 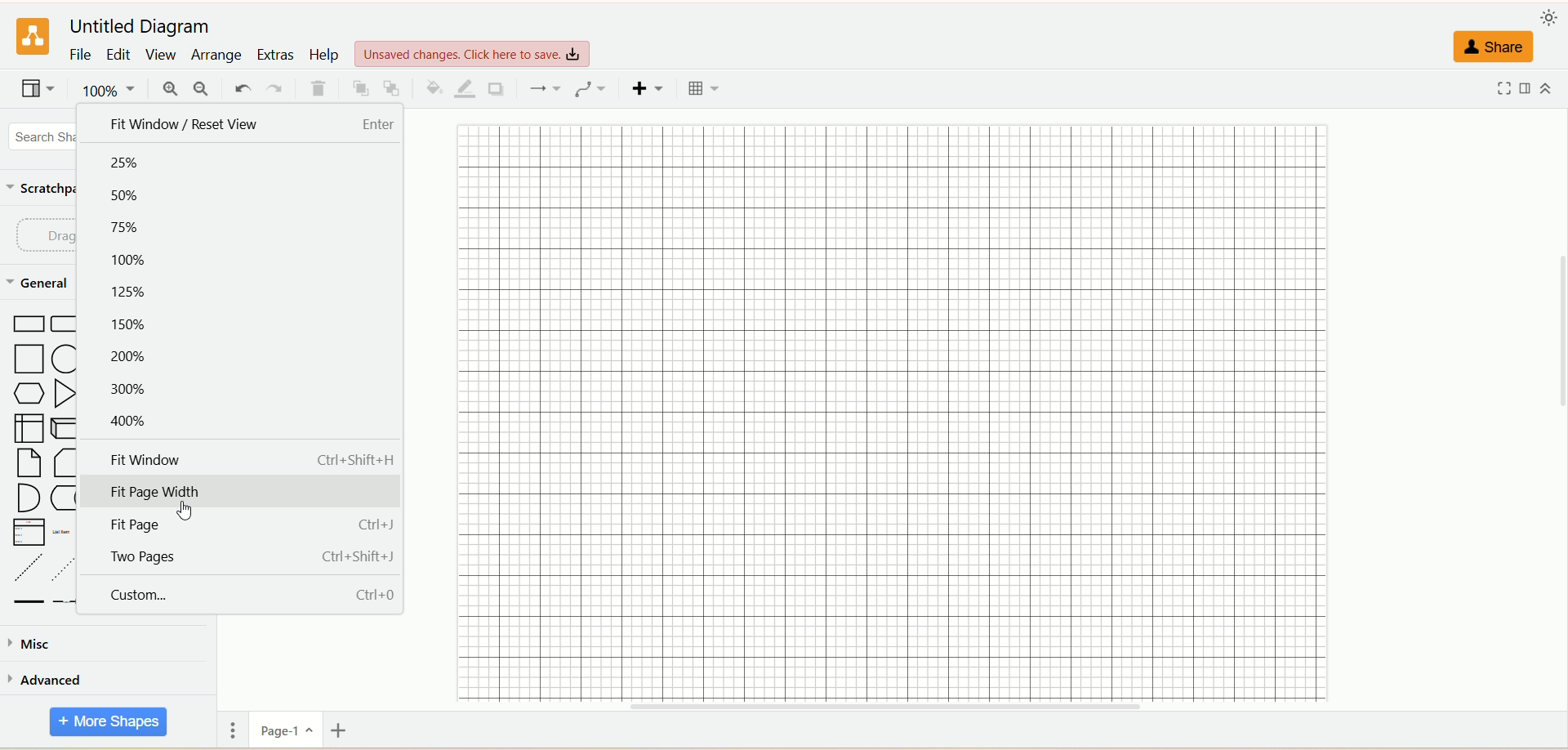 I want to click on custom, so click(x=243, y=596).